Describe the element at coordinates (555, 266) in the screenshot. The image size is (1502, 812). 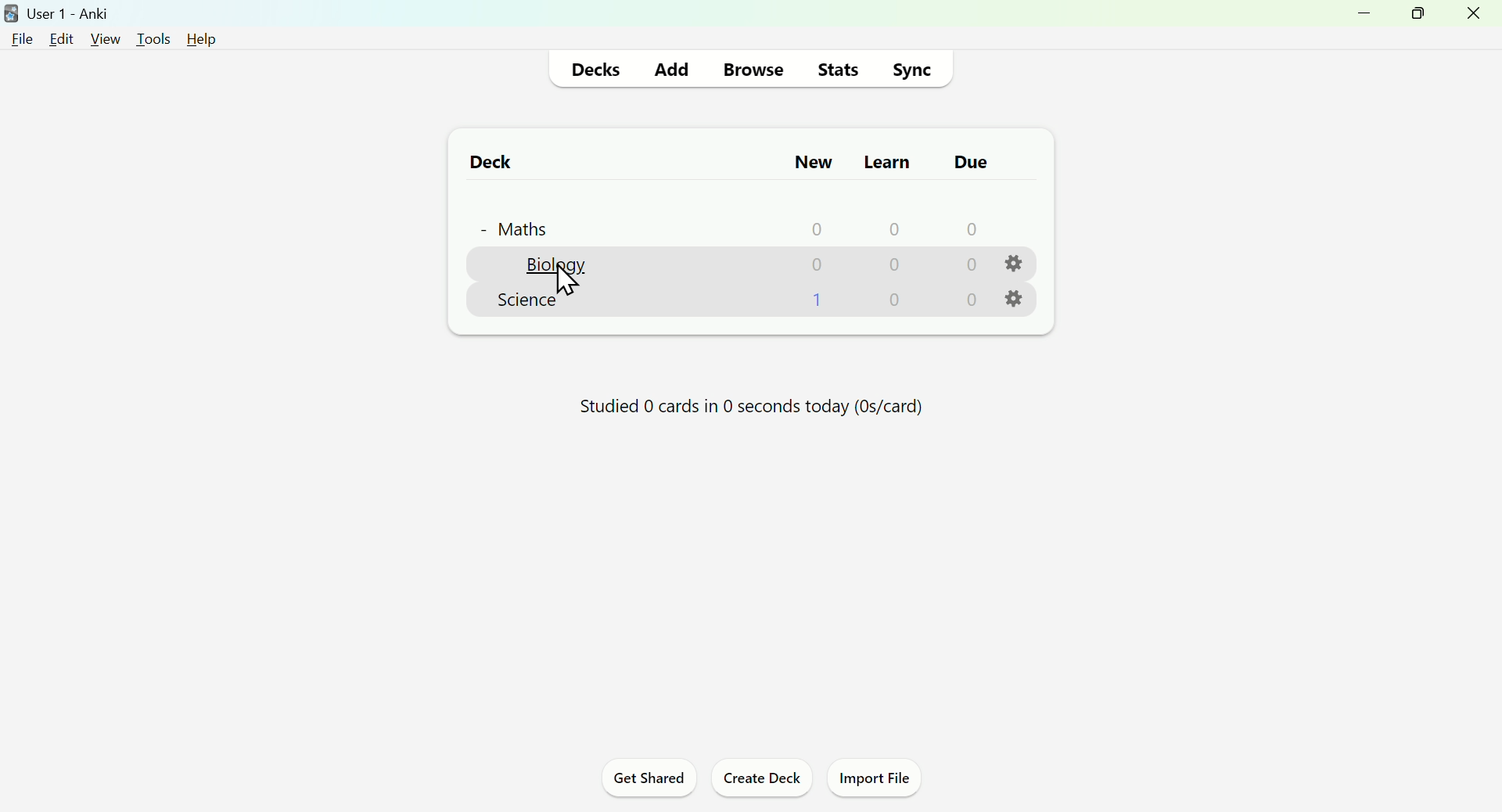
I see `Biology` at that location.